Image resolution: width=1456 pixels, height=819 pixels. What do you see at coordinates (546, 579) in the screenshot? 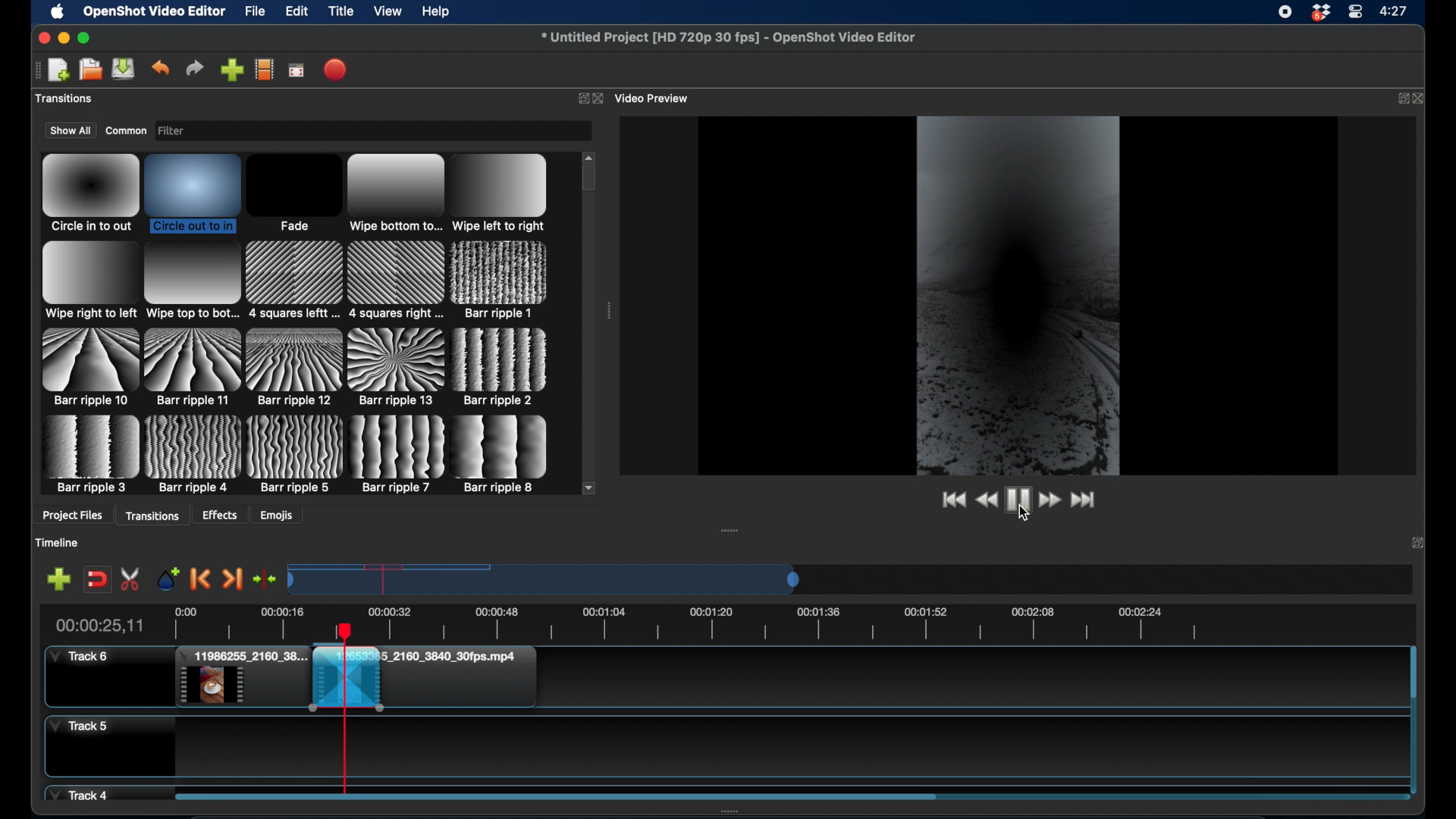
I see `timeline scale` at bounding box center [546, 579].